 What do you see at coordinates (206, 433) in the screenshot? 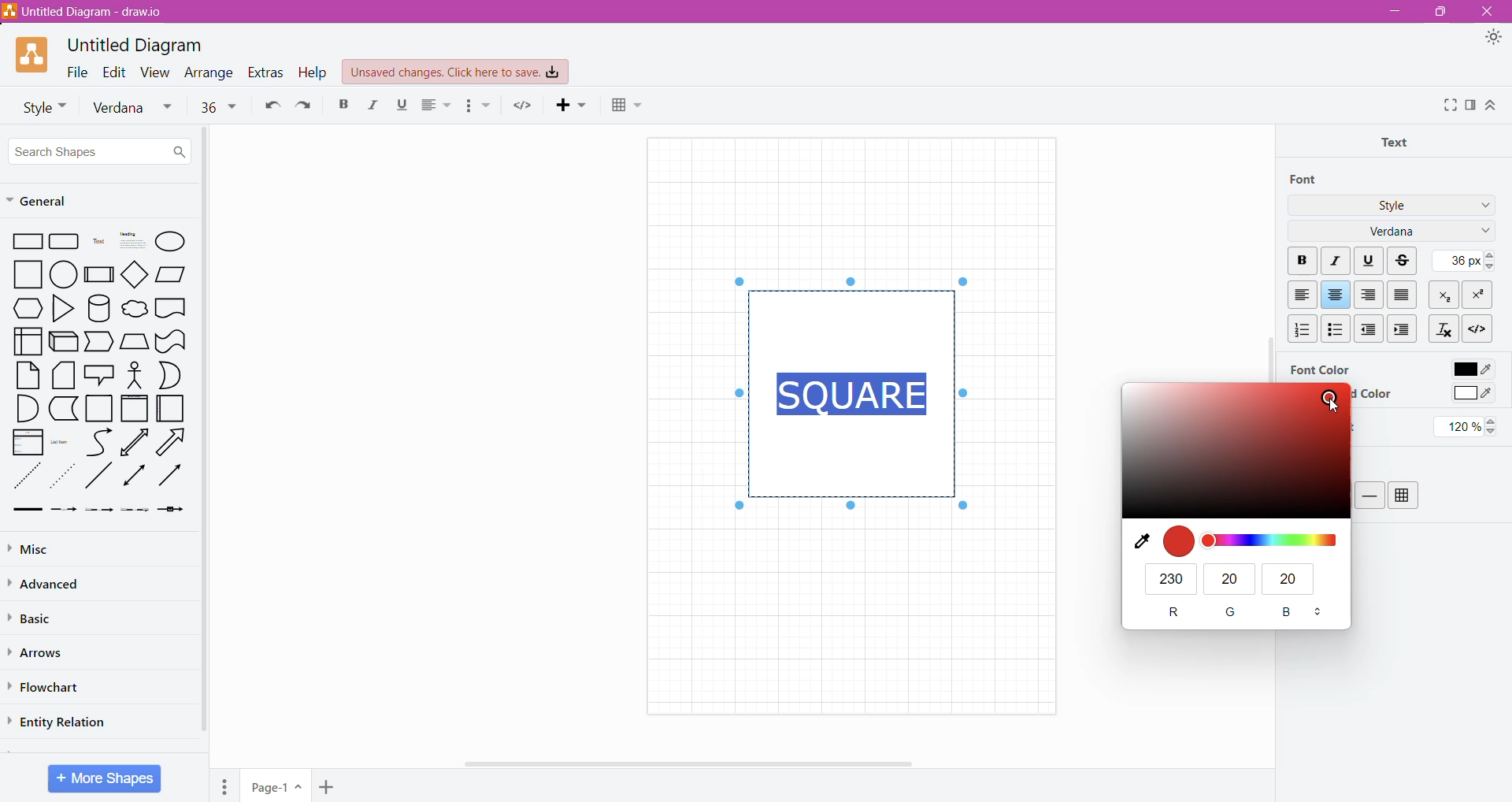
I see `Vertical Scroll Bar` at bounding box center [206, 433].